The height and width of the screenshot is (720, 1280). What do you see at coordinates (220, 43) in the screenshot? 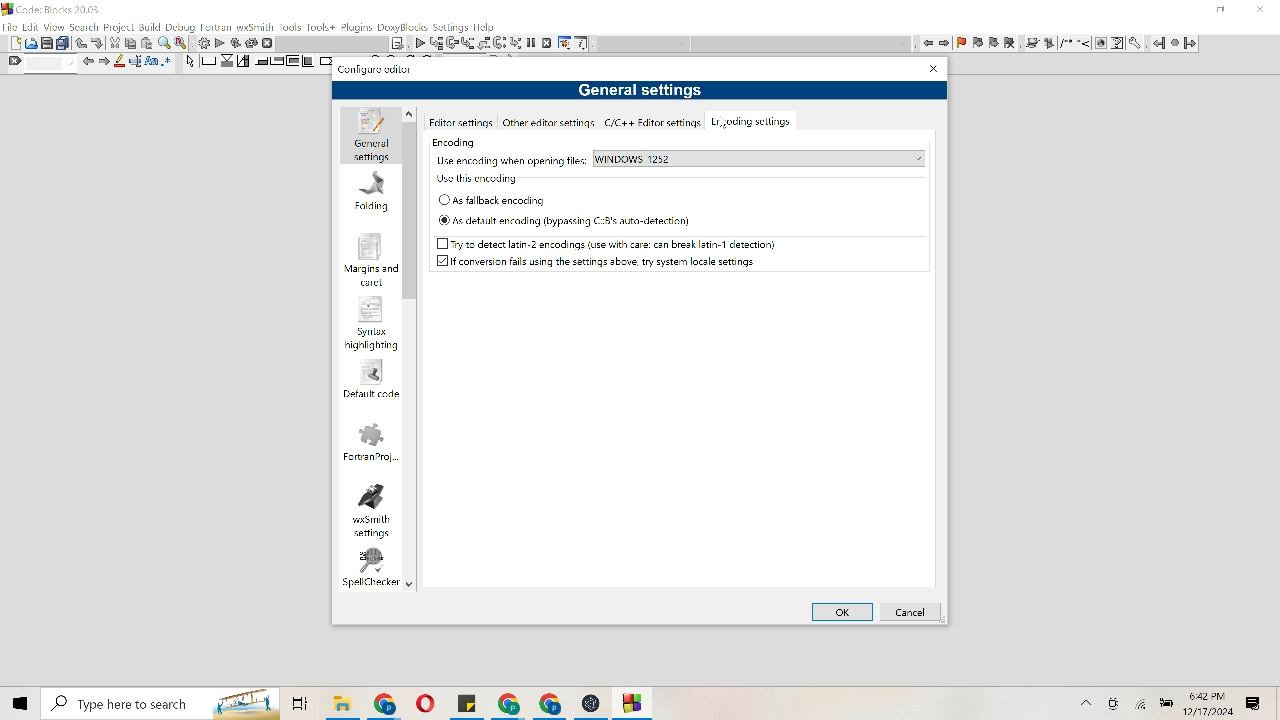
I see `Play` at bounding box center [220, 43].